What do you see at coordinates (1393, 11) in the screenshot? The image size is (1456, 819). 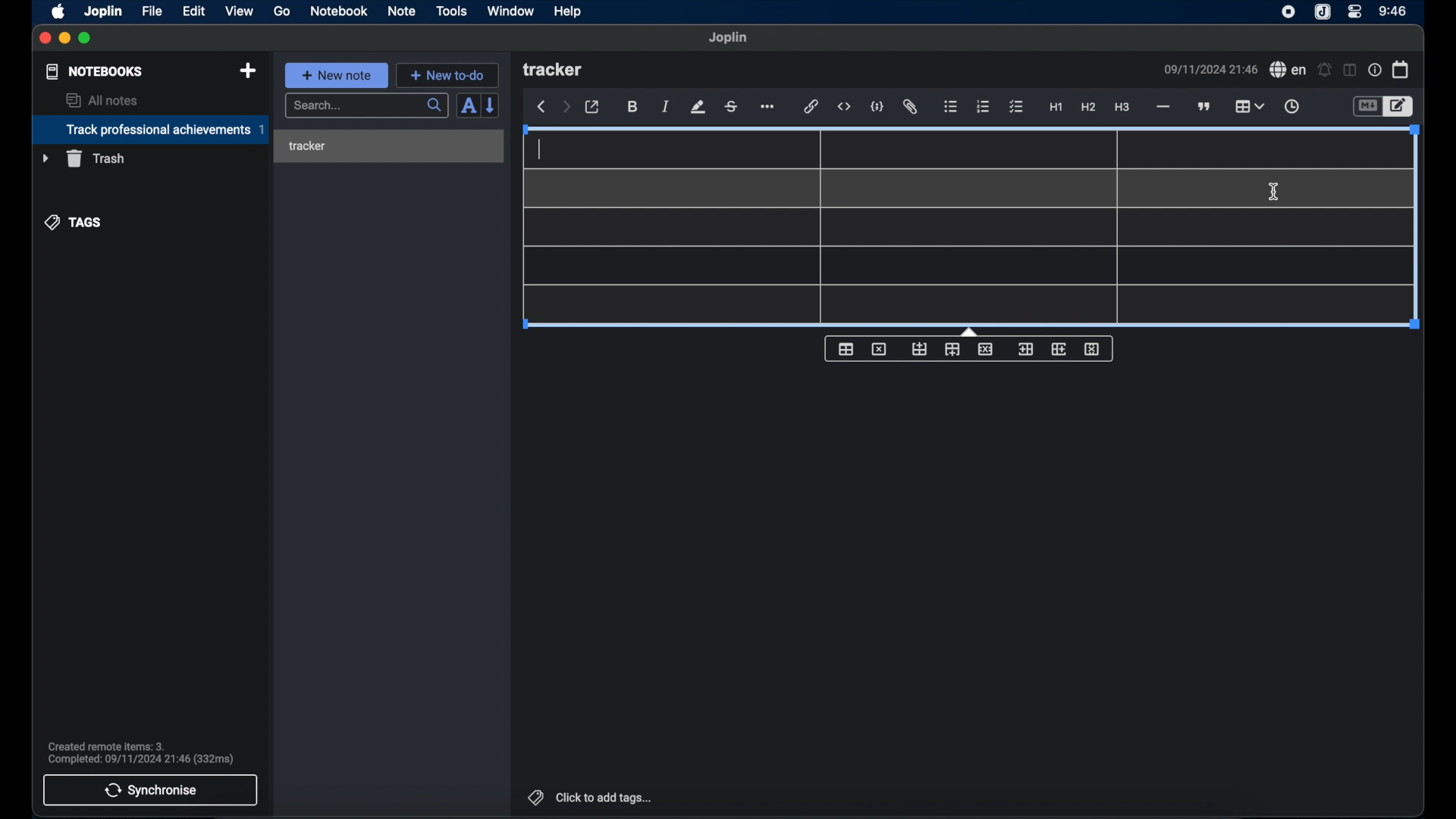 I see `time` at bounding box center [1393, 11].